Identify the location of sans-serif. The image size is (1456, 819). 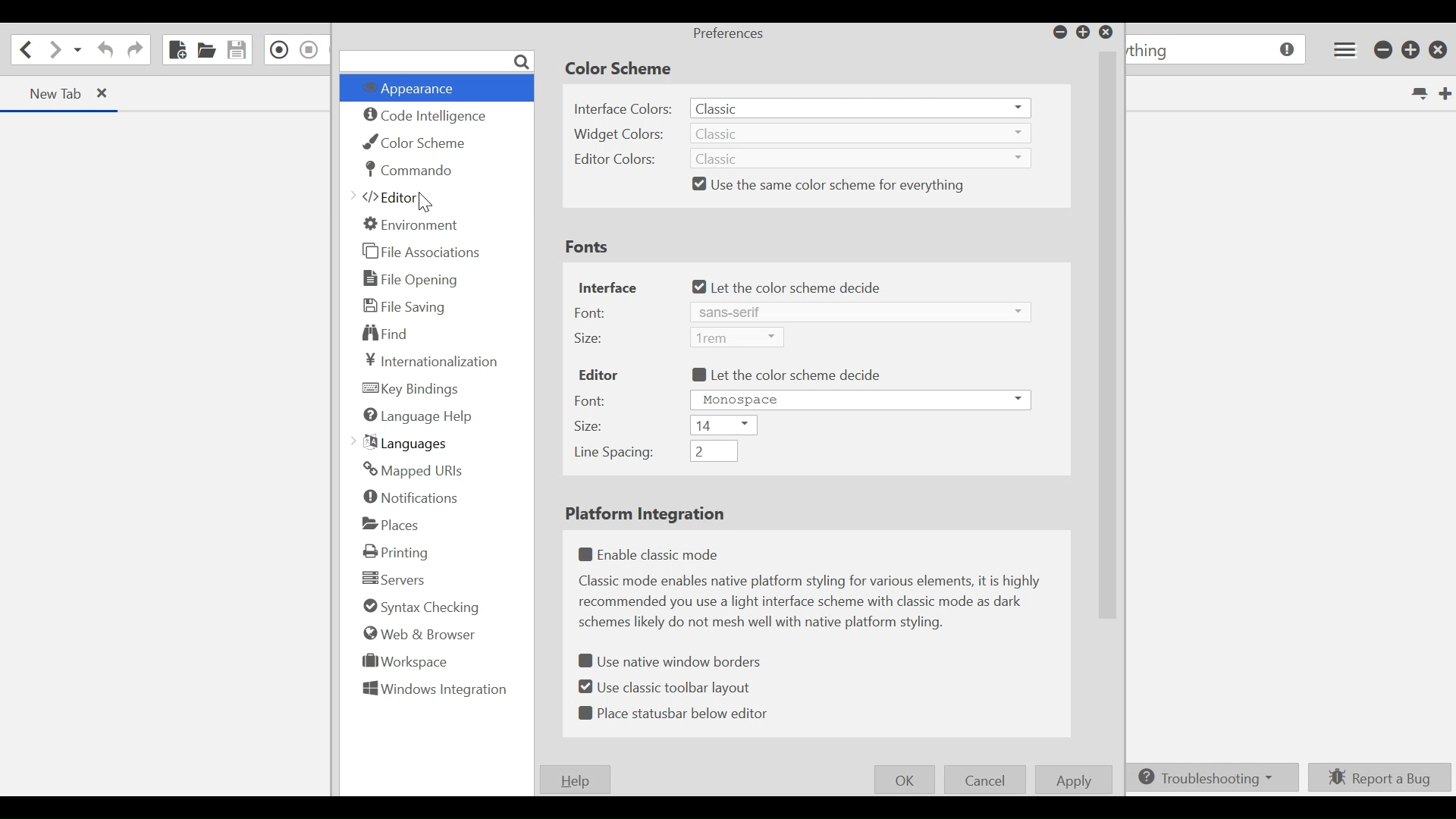
(836, 312).